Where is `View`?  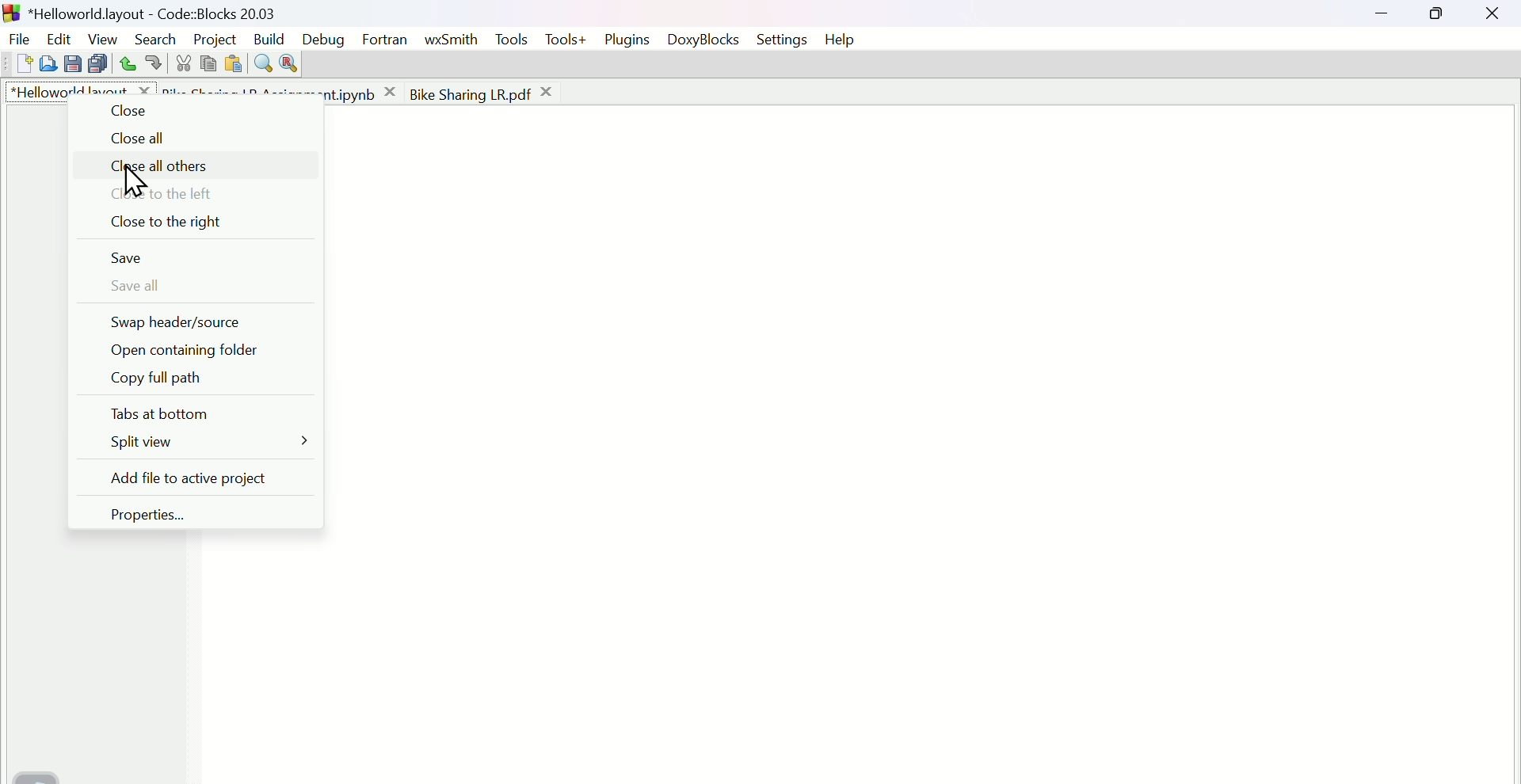 View is located at coordinates (98, 36).